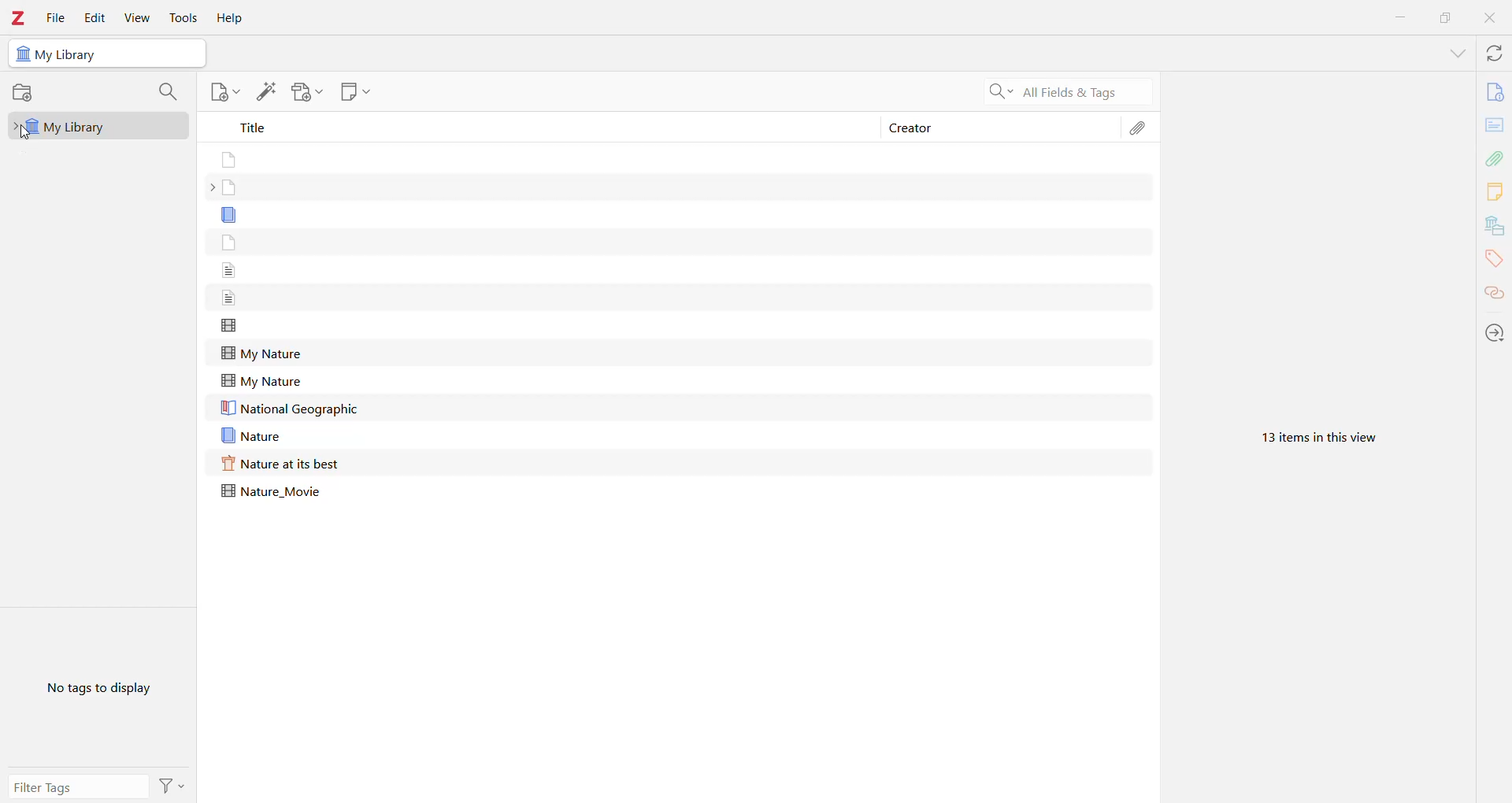 This screenshot has height=803, width=1512. Describe the element at coordinates (1495, 334) in the screenshot. I see `Actions` at that location.